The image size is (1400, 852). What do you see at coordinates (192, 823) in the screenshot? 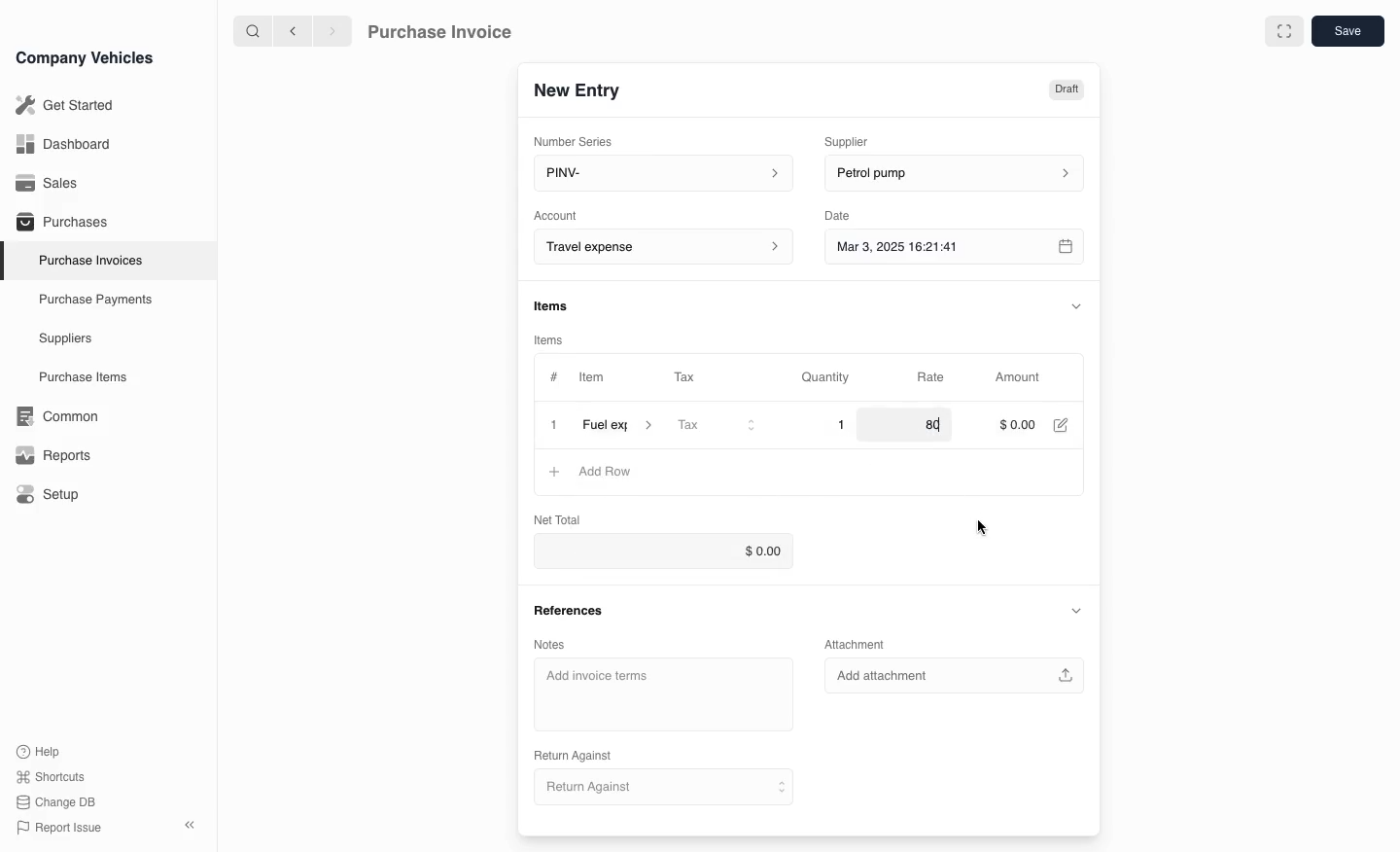
I see `close sidebar` at bounding box center [192, 823].